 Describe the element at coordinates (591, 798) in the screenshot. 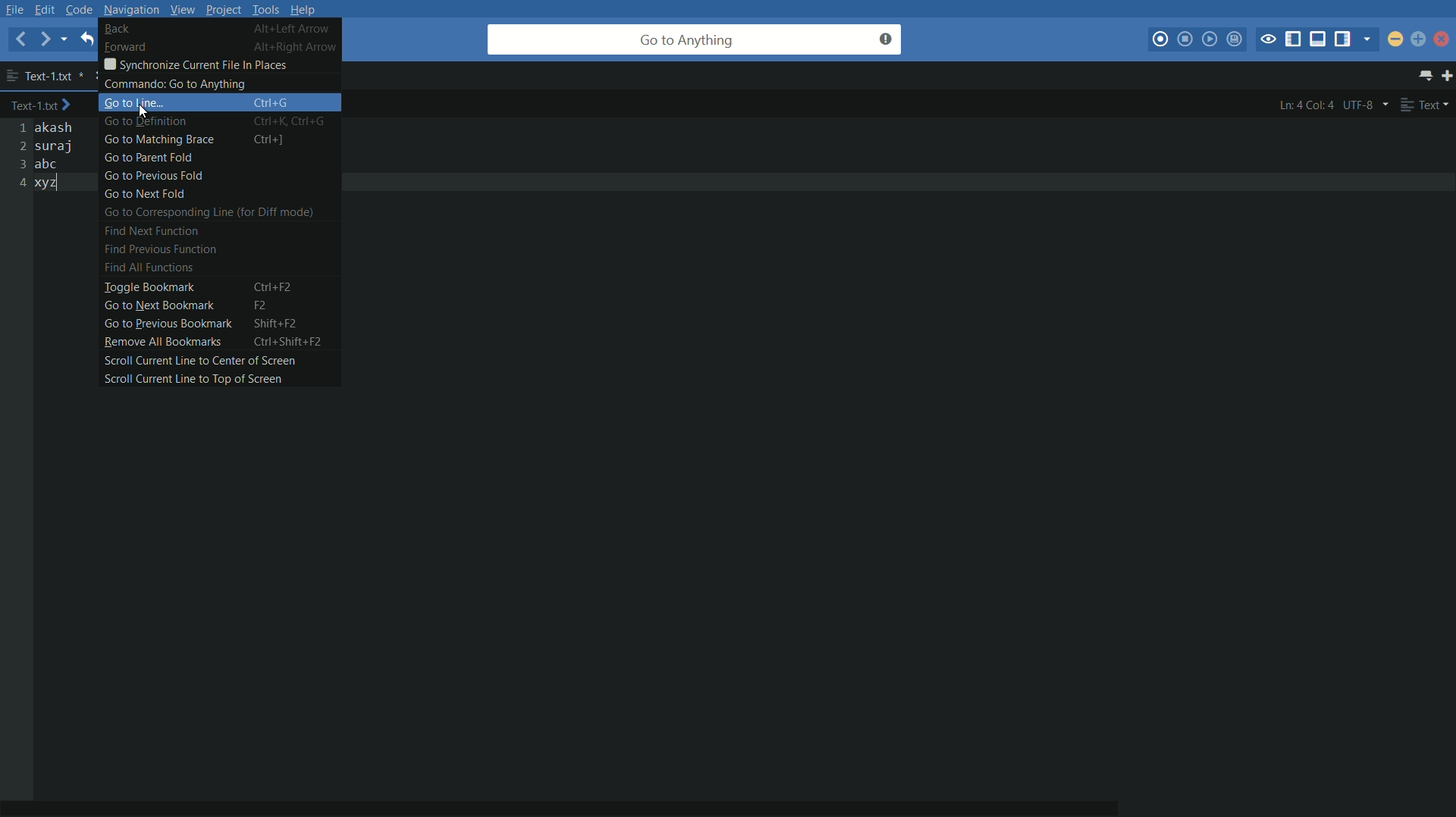

I see `horizontal scroll bar` at that location.